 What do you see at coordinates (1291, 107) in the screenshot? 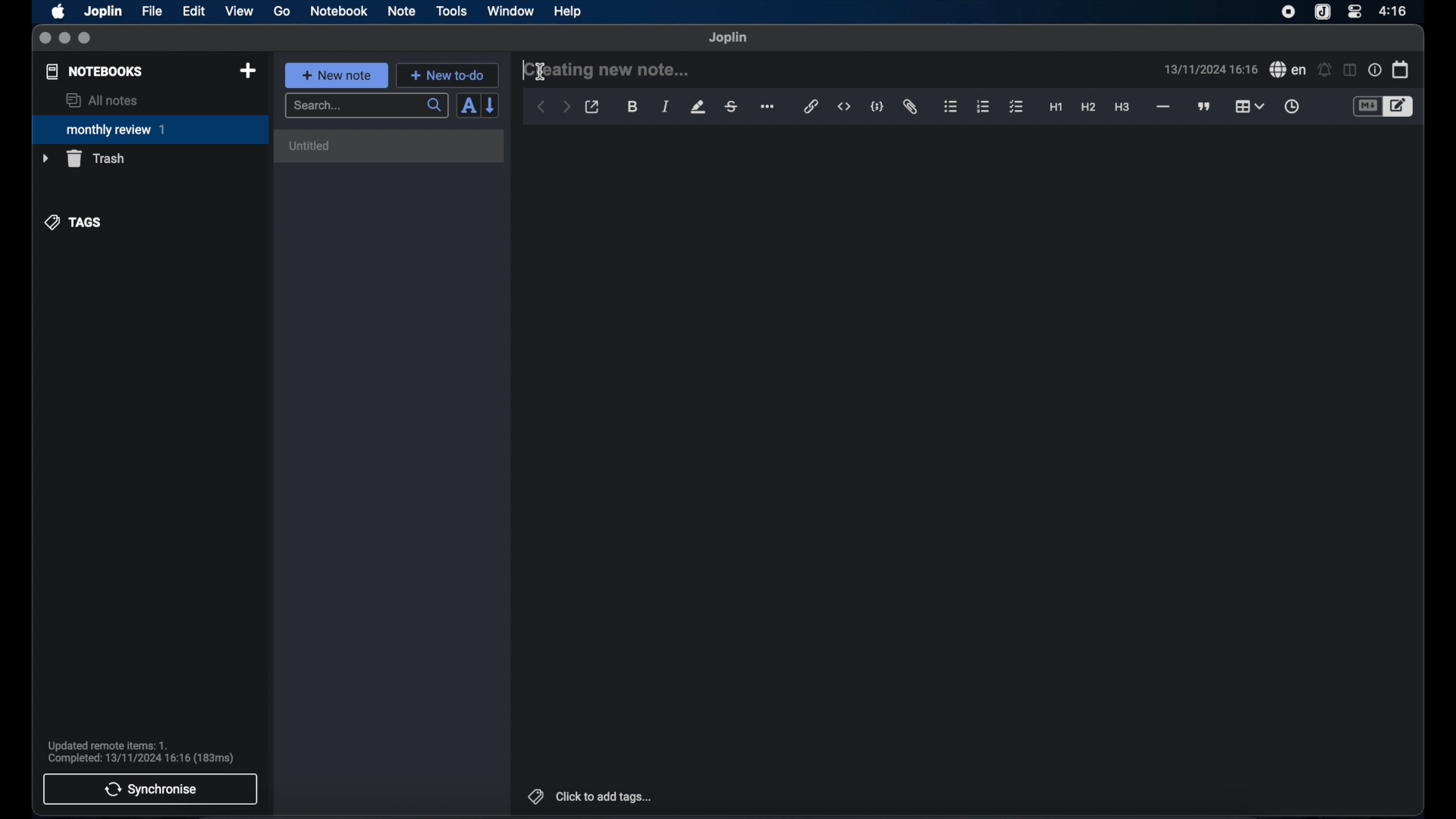
I see `insert time` at bounding box center [1291, 107].